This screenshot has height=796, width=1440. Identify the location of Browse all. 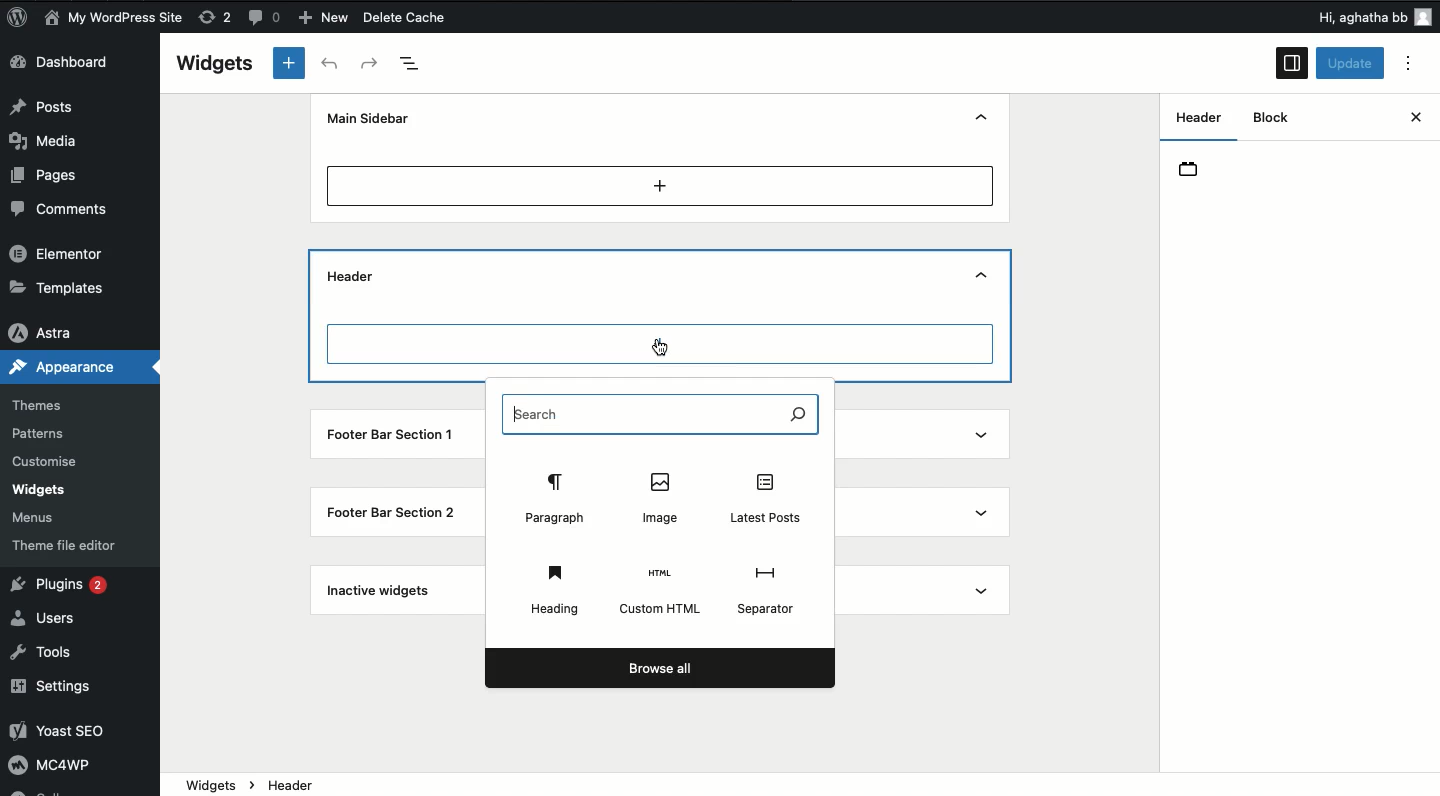
(658, 668).